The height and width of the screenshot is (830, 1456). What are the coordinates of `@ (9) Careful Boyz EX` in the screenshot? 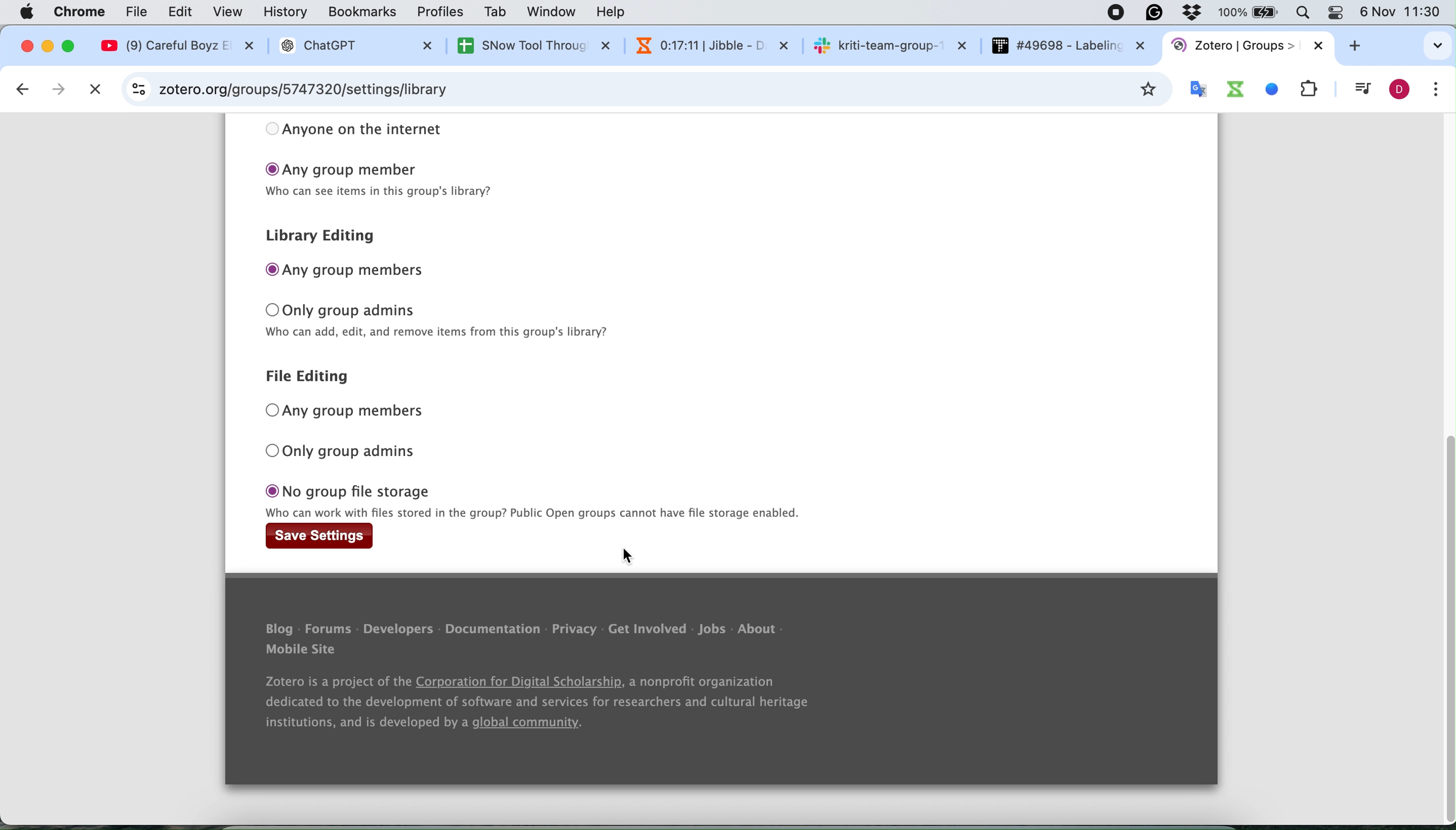 It's located at (184, 46).